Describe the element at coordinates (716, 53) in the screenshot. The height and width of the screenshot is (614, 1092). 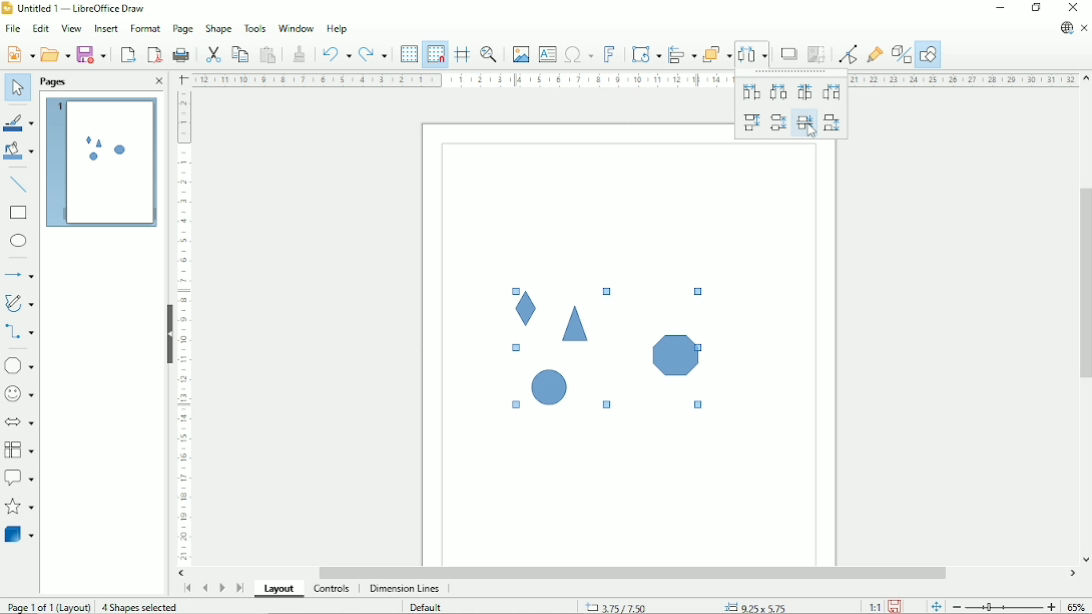
I see `Arrange` at that location.